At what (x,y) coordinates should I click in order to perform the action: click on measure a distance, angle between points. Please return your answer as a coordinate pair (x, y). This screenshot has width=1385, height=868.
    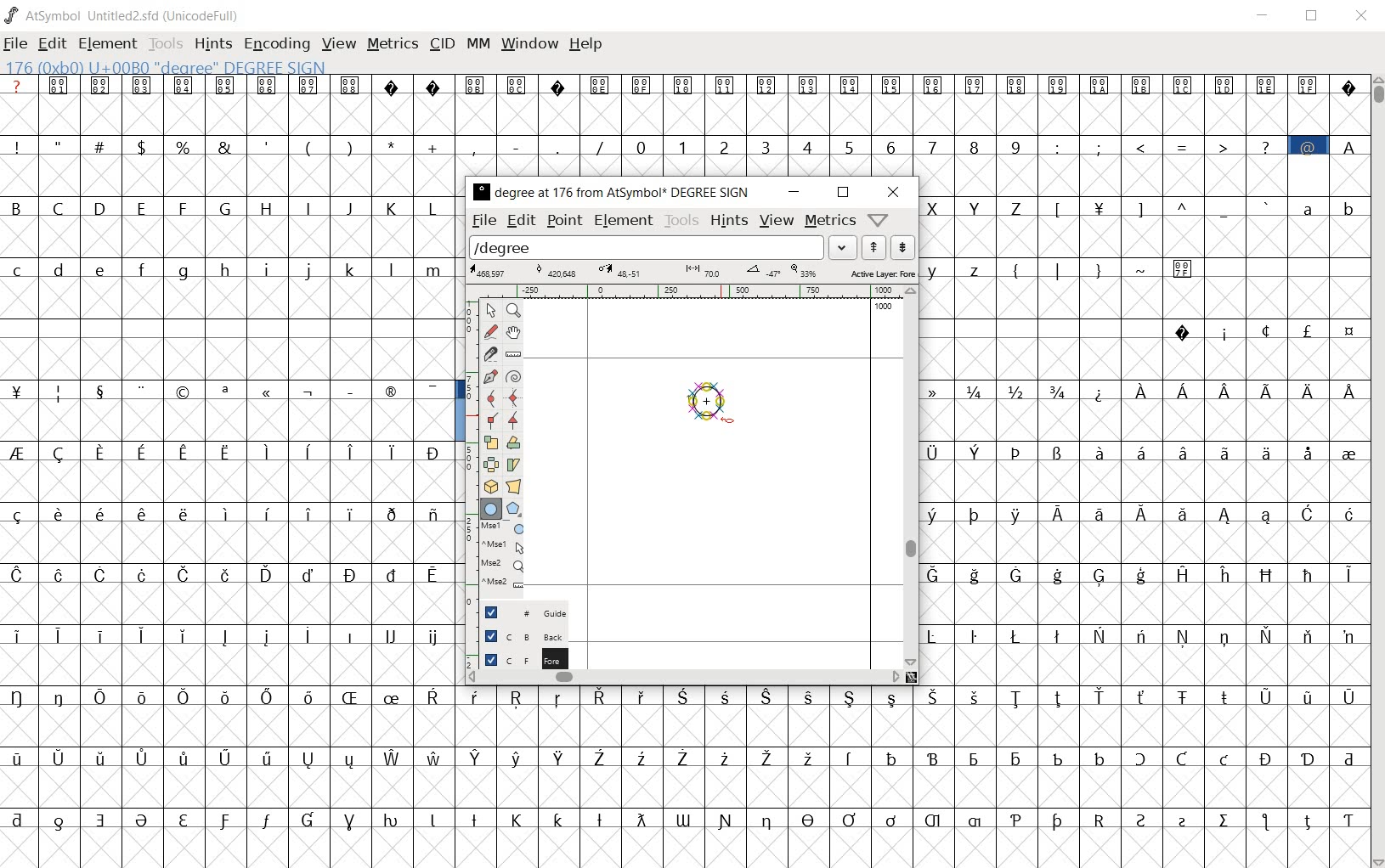
    Looking at the image, I should click on (514, 355).